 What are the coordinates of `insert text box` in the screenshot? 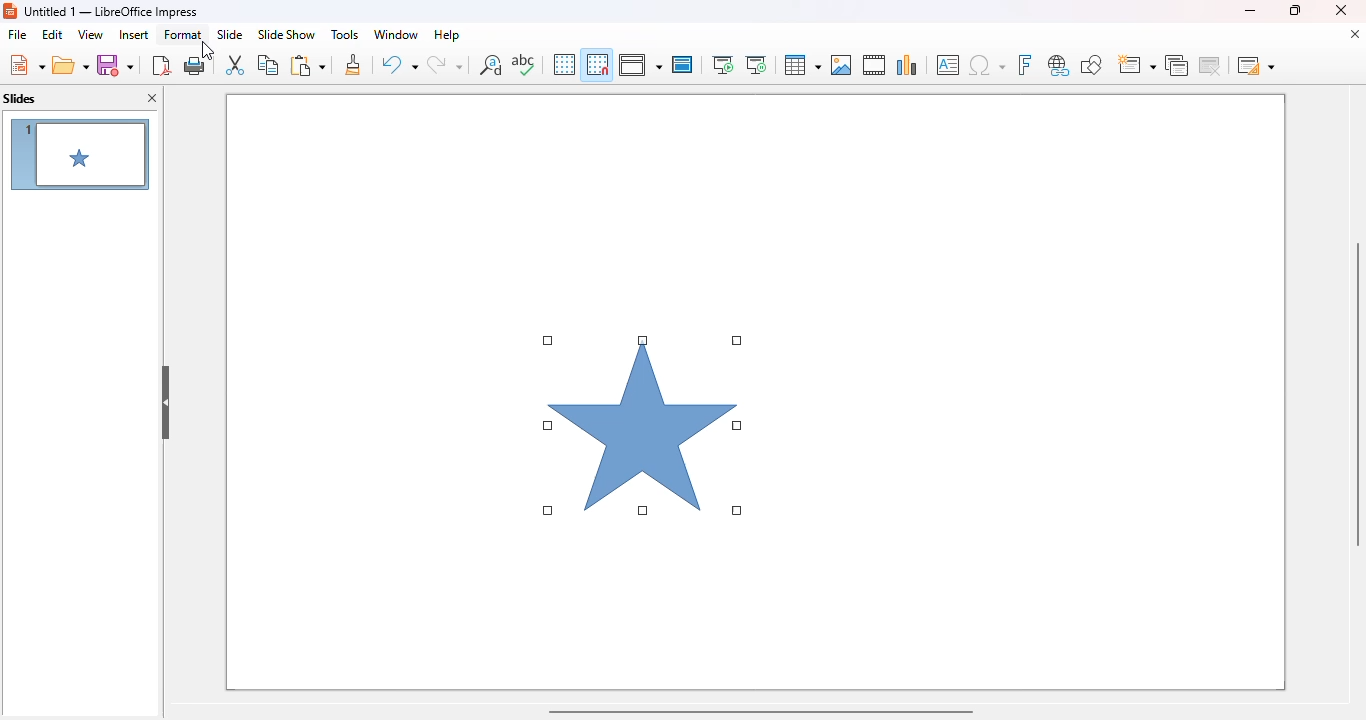 It's located at (948, 65).